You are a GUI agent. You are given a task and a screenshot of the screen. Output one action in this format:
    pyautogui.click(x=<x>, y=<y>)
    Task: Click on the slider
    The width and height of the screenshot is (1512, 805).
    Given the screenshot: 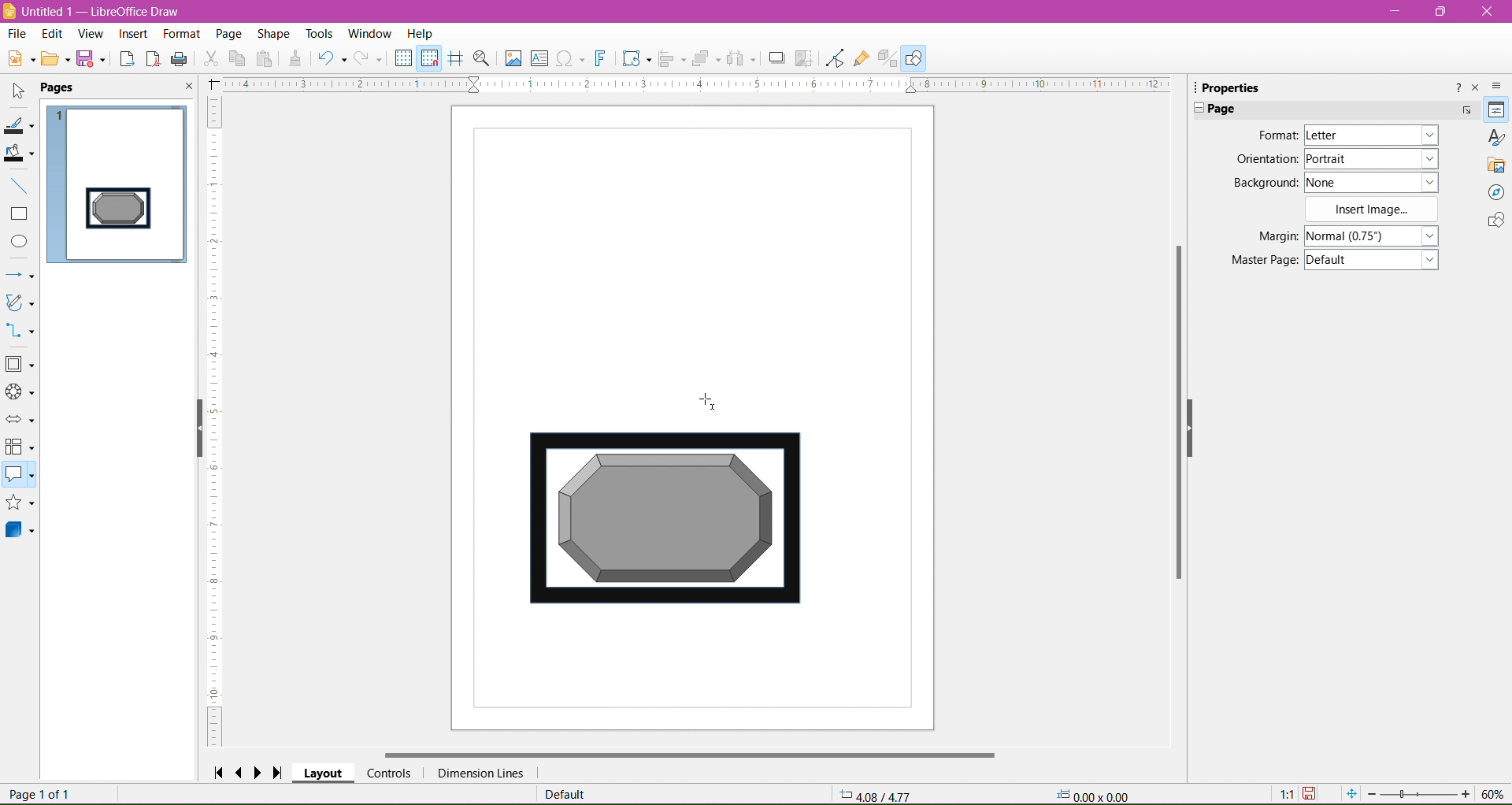 What is the action you would take?
    pyautogui.click(x=1418, y=795)
    